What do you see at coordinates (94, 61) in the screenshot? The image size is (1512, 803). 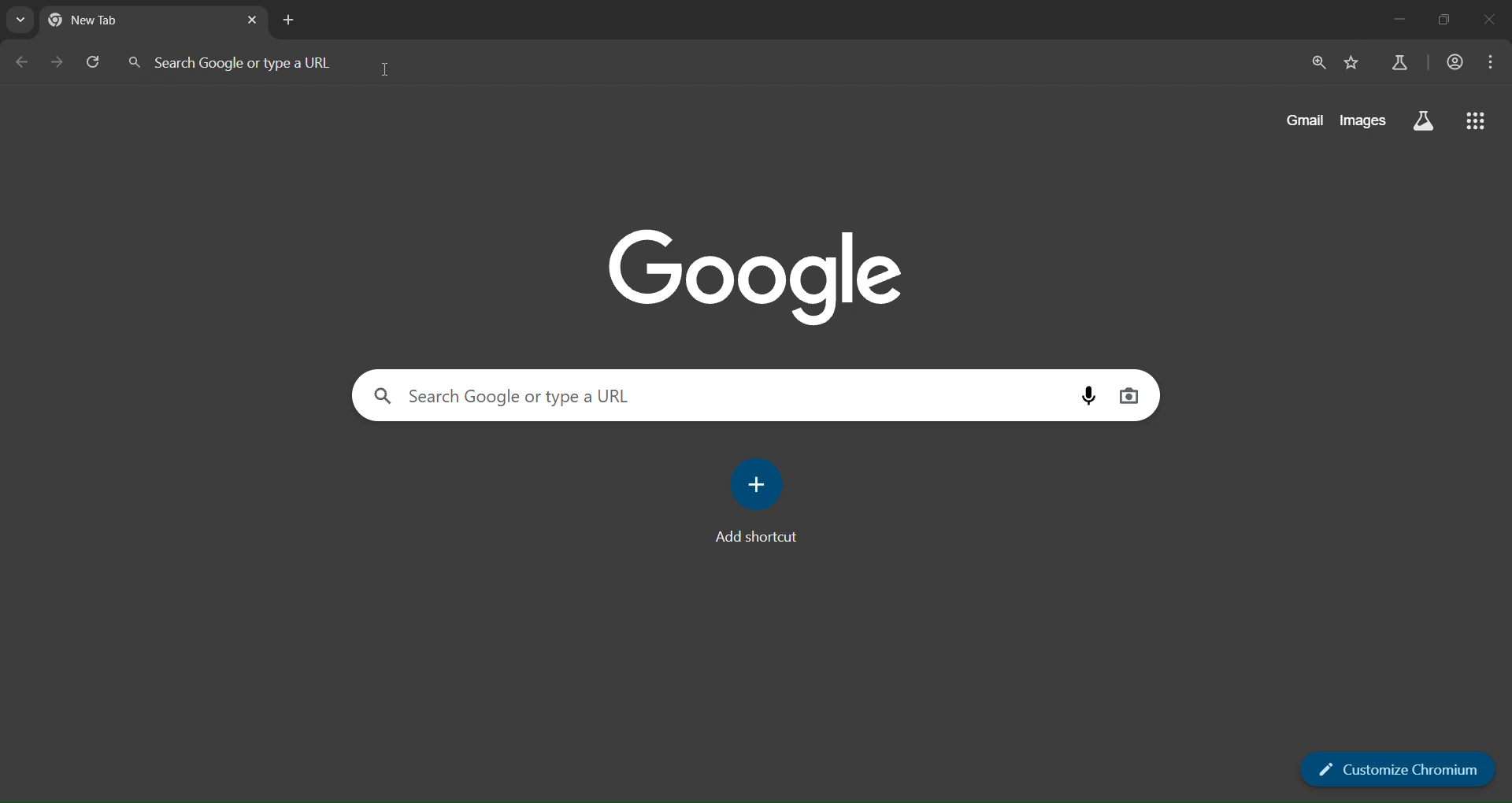 I see `reload page` at bounding box center [94, 61].